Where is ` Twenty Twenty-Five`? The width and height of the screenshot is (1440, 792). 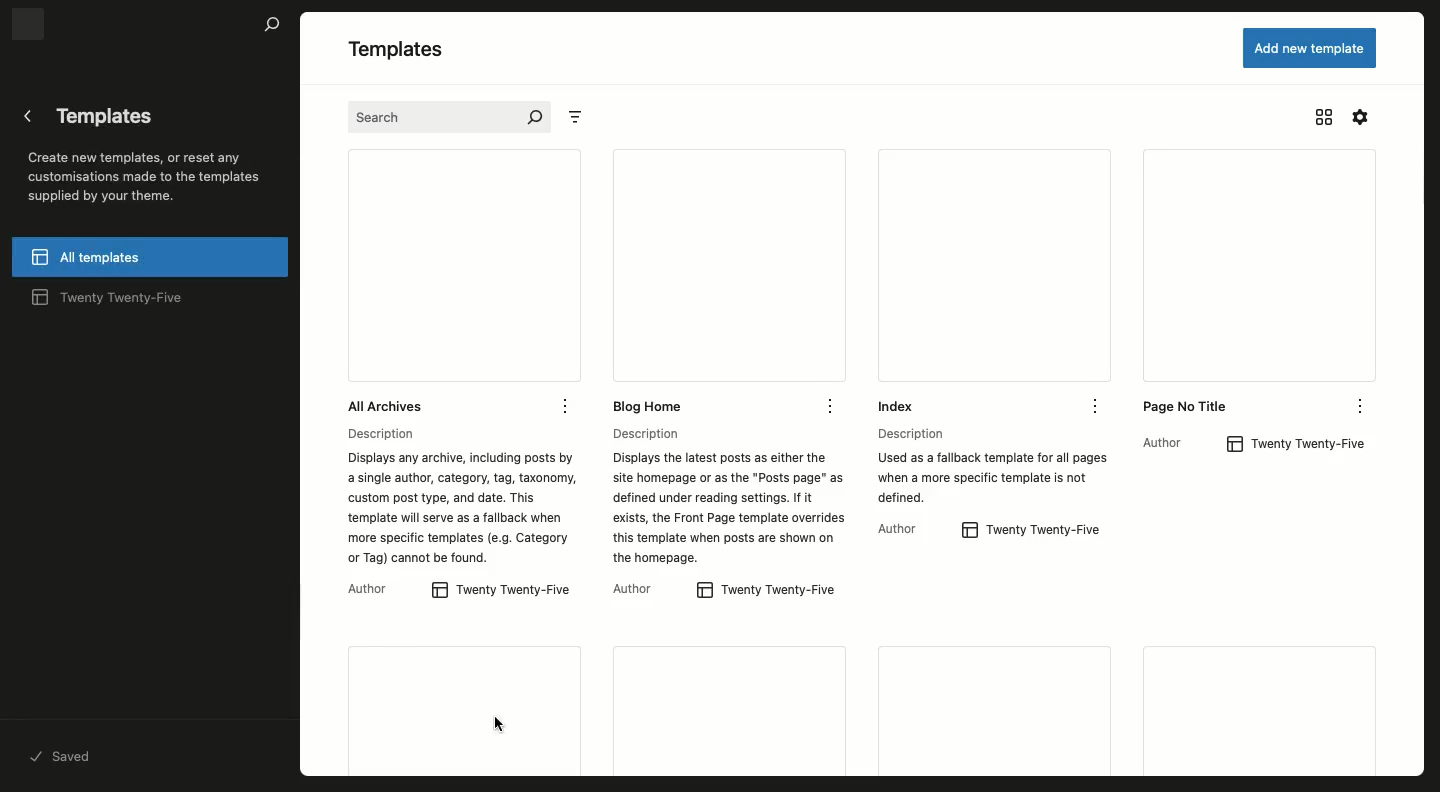
 Twenty Twenty-Five is located at coordinates (1047, 531).